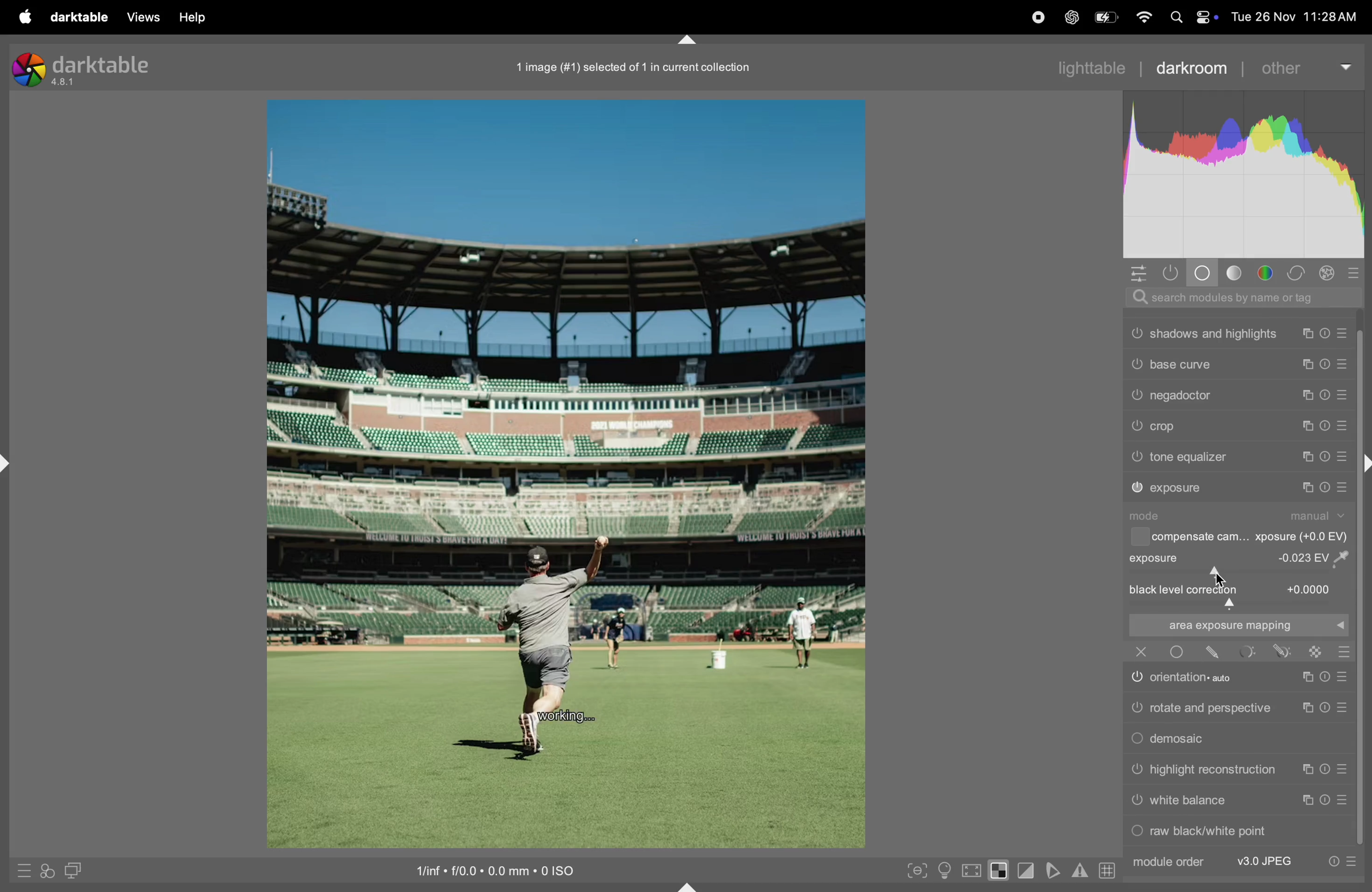 Image resolution: width=1372 pixels, height=892 pixels. Describe the element at coordinates (1083, 68) in the screenshot. I see `lightable` at that location.